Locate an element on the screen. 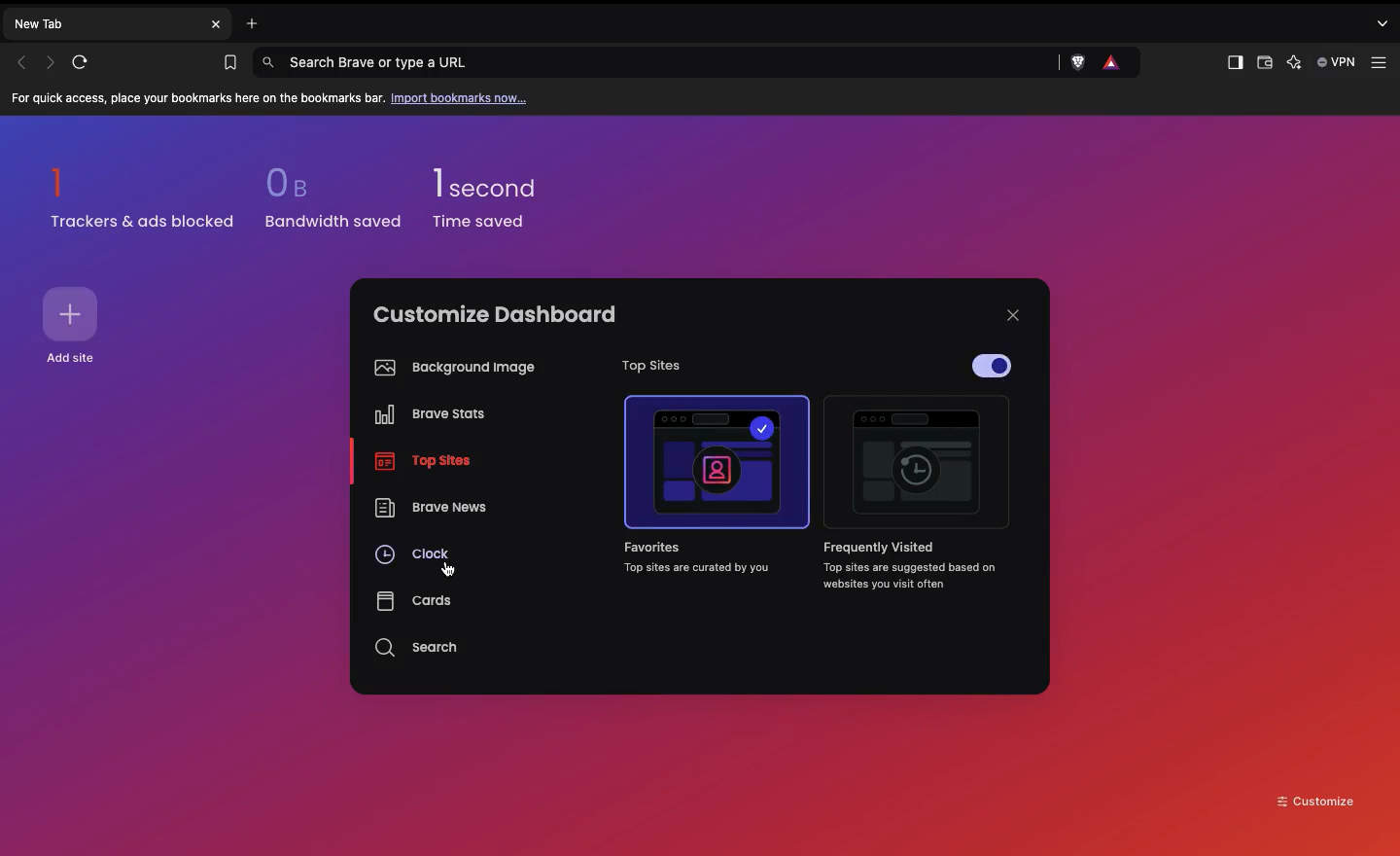 The width and height of the screenshot is (1400, 856). On top sites is located at coordinates (424, 463).